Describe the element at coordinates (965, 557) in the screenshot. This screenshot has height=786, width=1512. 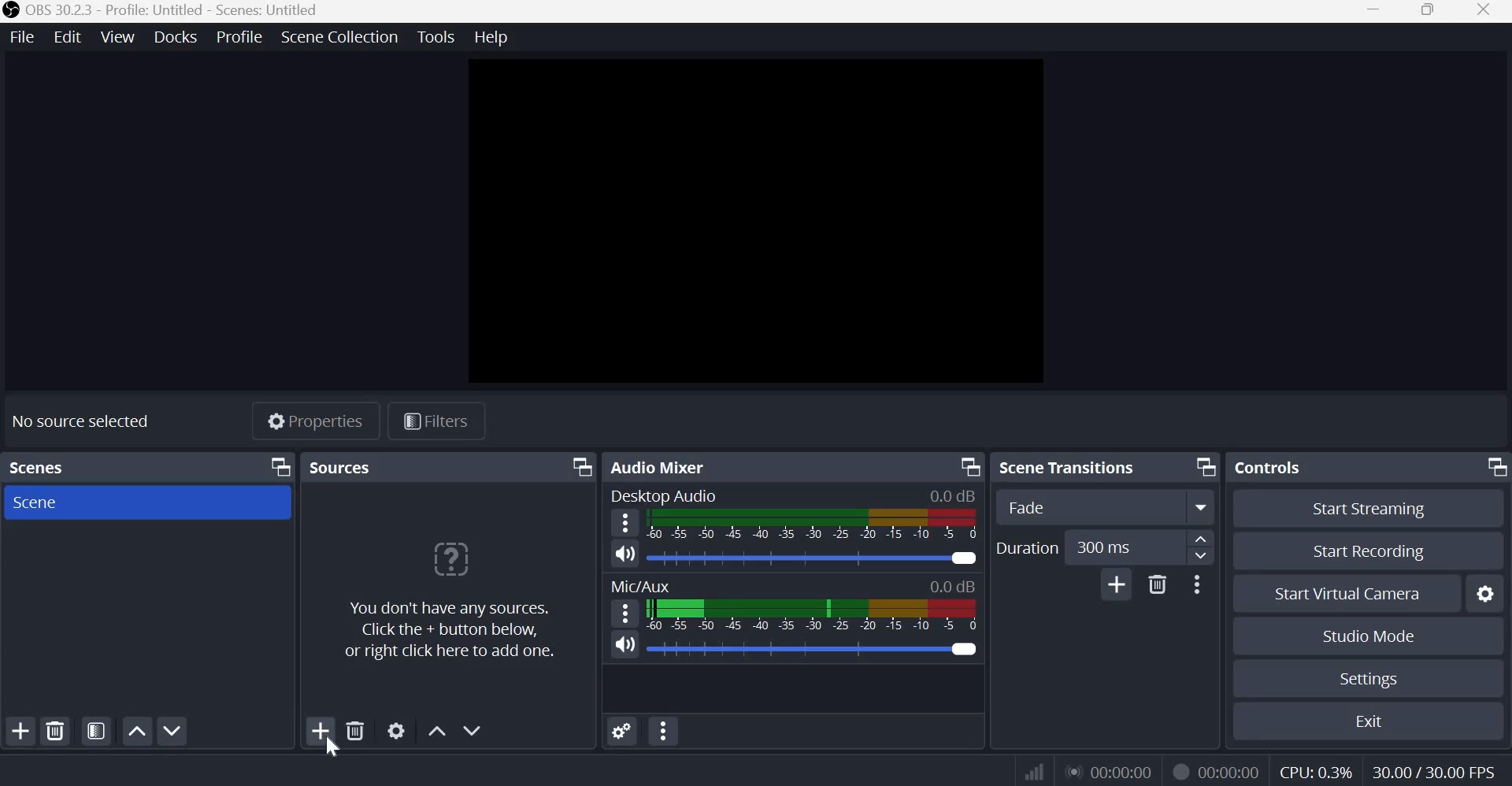
I see `Audio Slider` at that location.